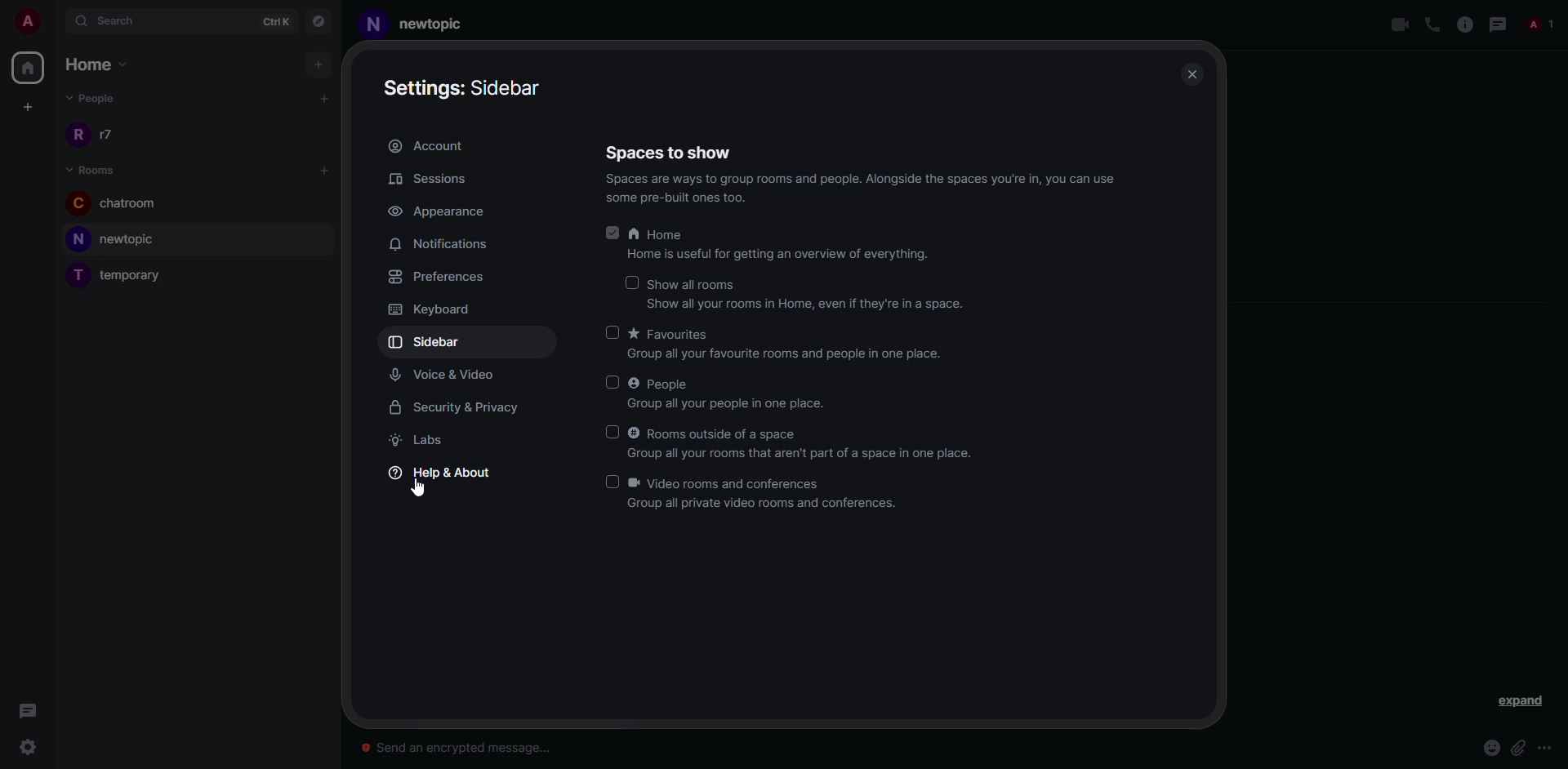  I want to click on info, so click(874, 189).